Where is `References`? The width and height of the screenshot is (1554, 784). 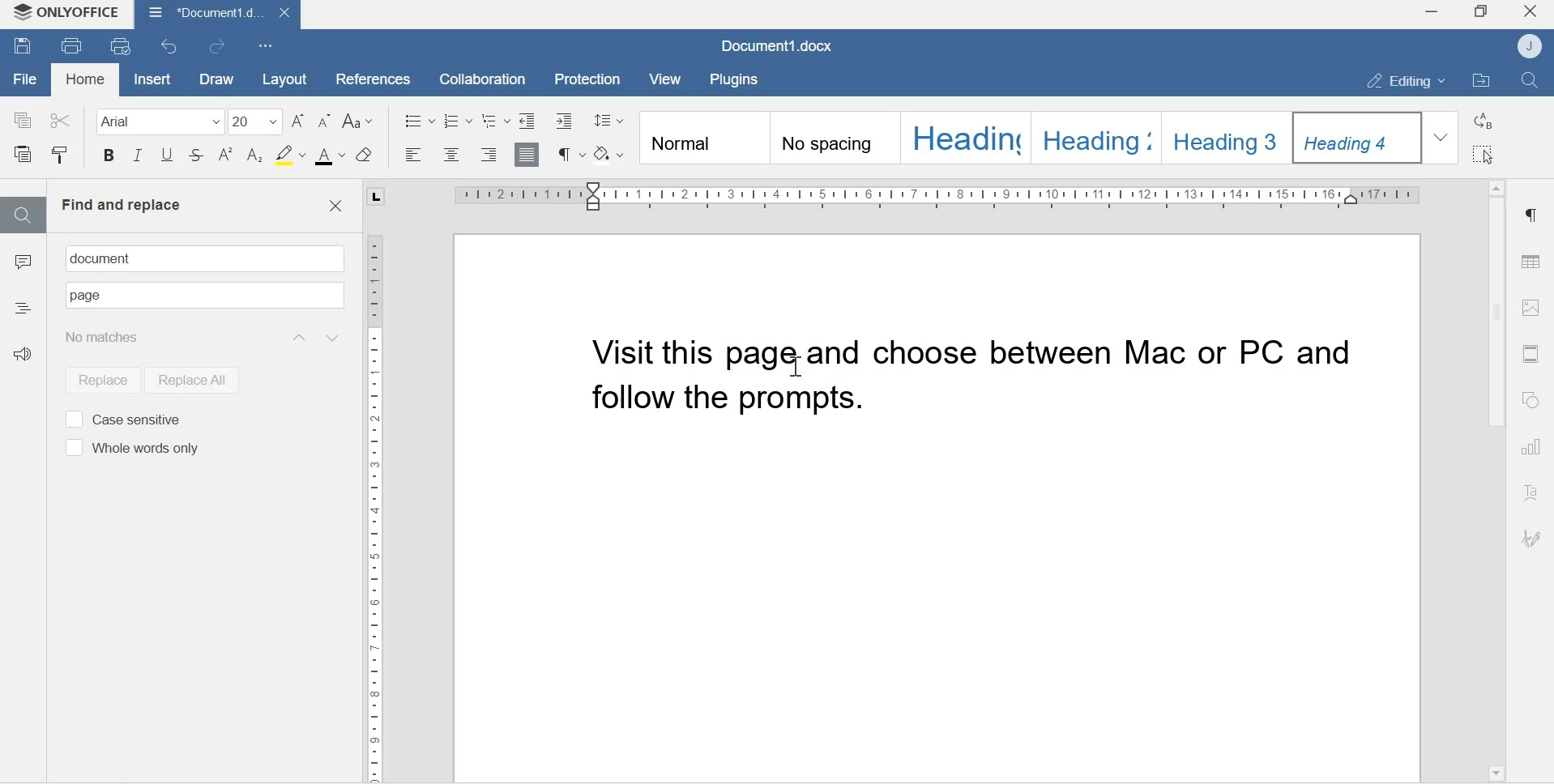 References is located at coordinates (367, 77).